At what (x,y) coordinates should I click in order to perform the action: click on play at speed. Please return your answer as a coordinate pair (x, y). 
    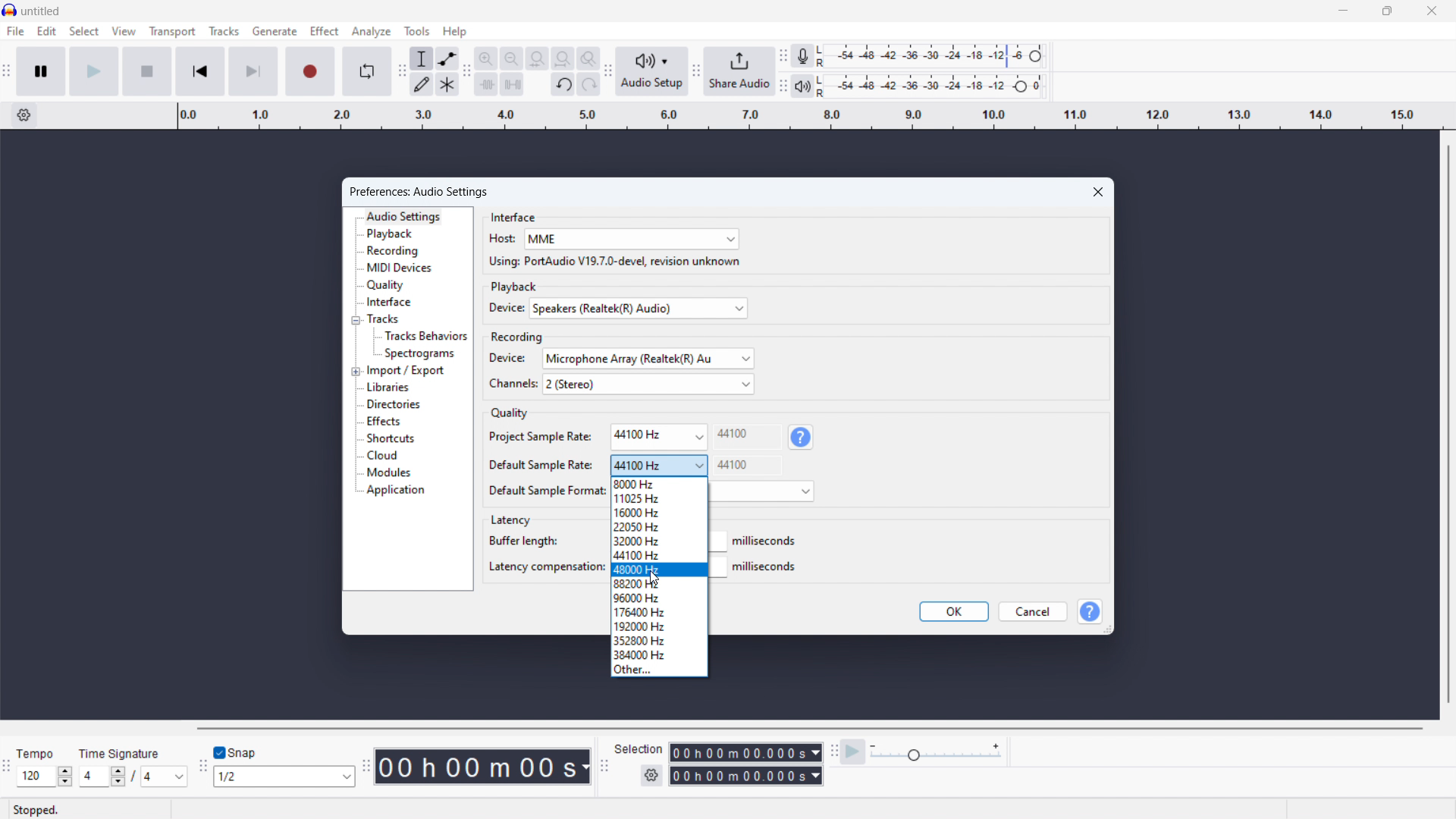
    Looking at the image, I should click on (853, 752).